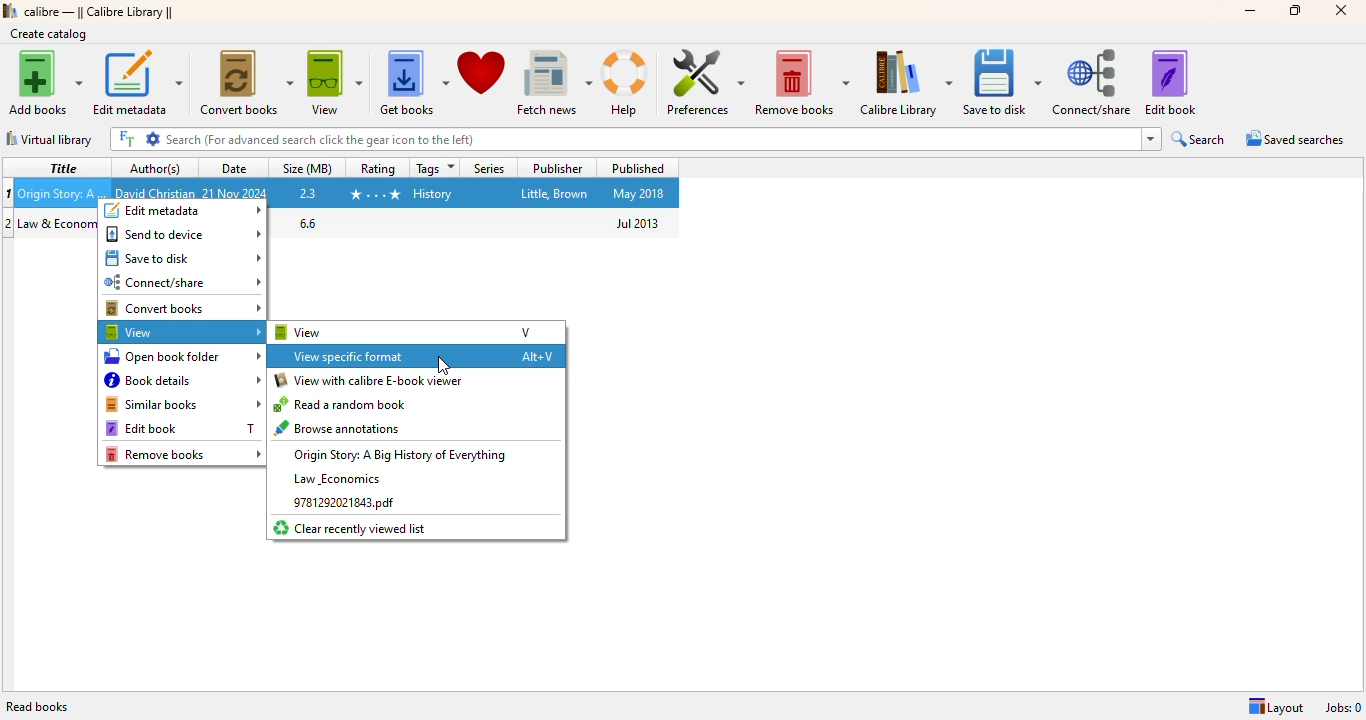 This screenshot has width=1366, height=720. I want to click on add books, so click(44, 82).